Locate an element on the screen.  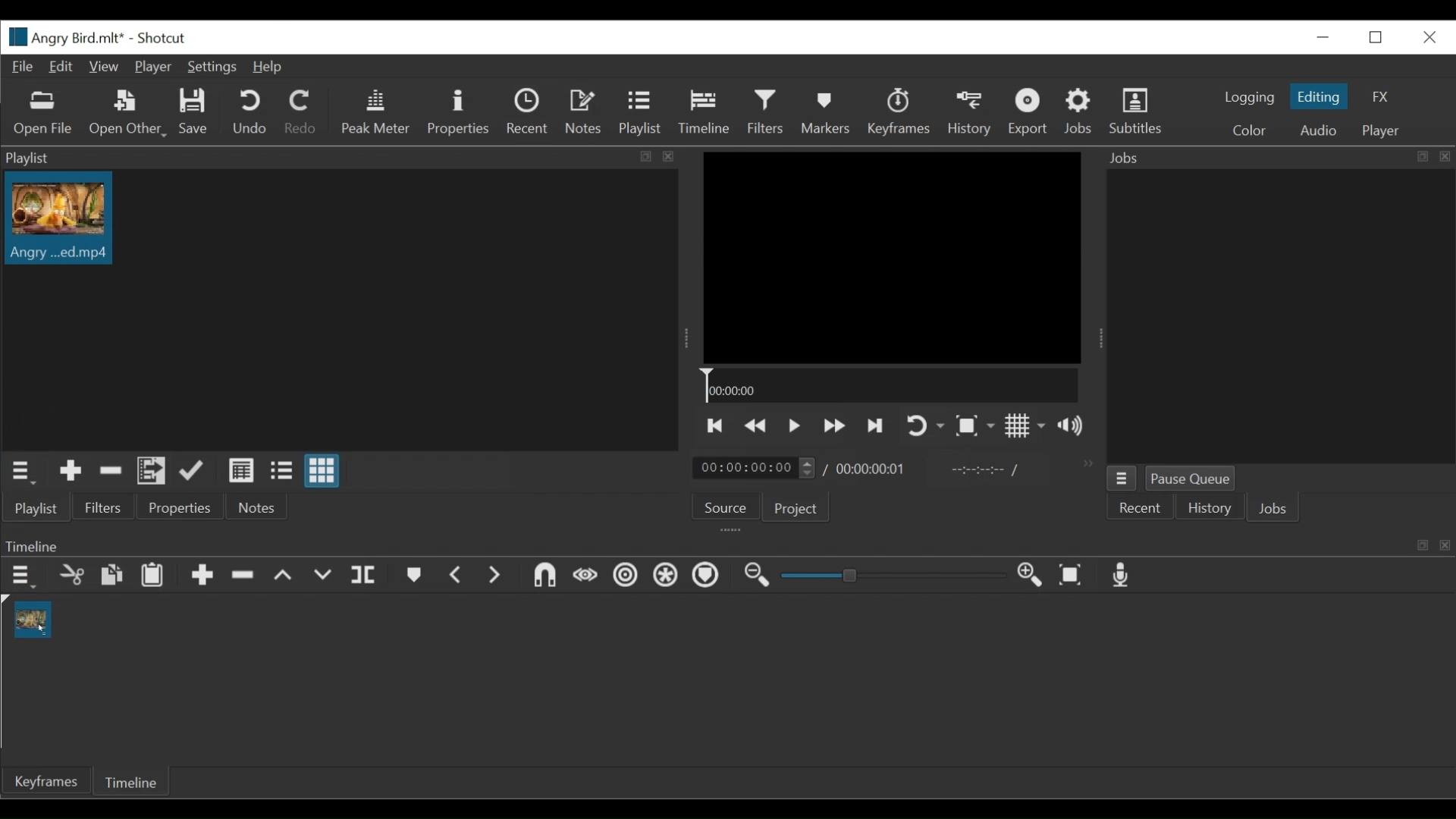
Edit is located at coordinates (61, 67).